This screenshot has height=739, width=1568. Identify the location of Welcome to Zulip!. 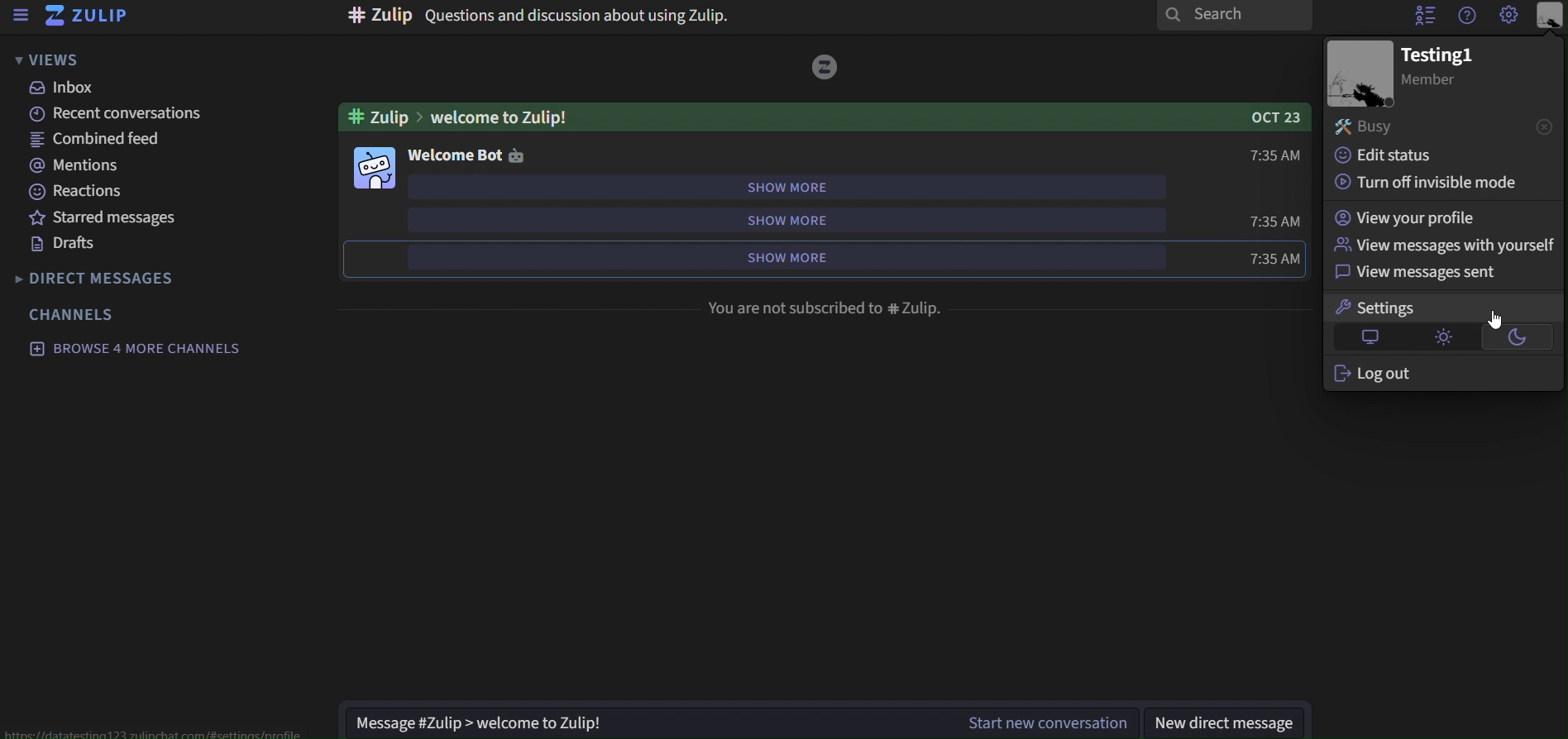
(825, 117).